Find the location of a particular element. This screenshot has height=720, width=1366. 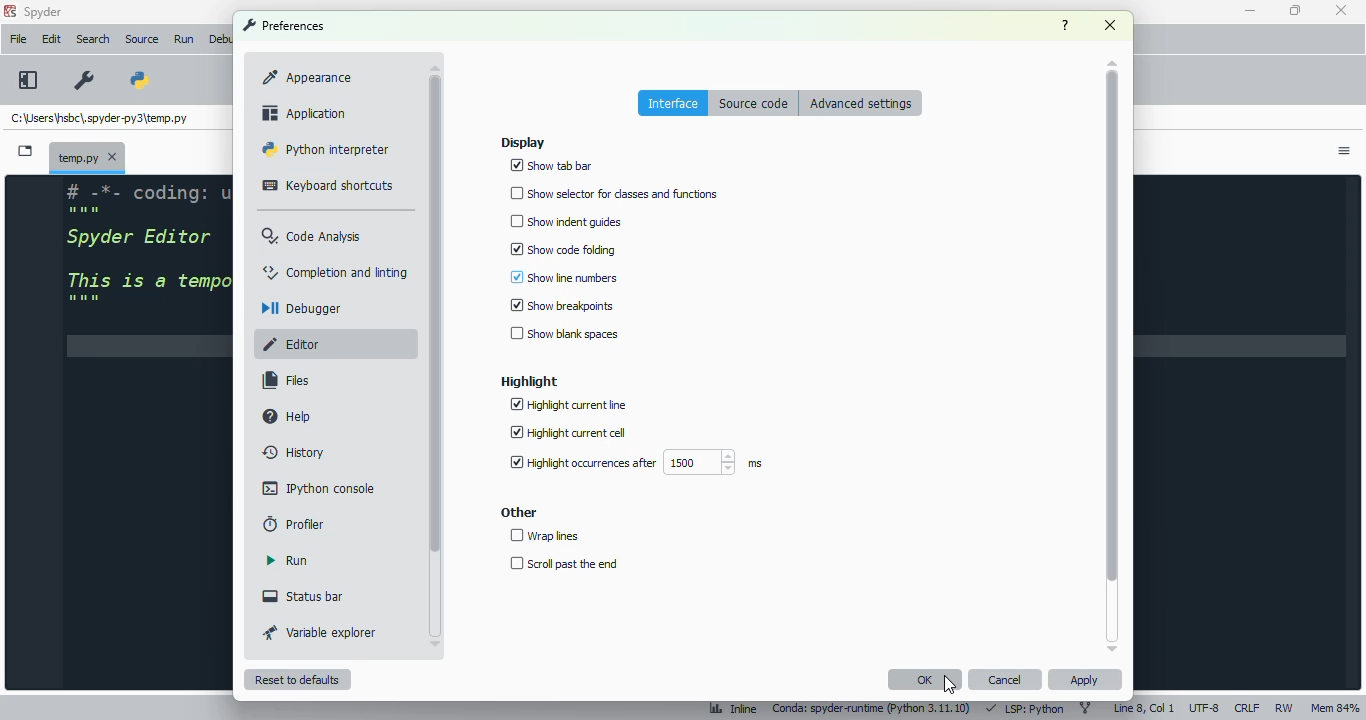

RW is located at coordinates (1285, 709).